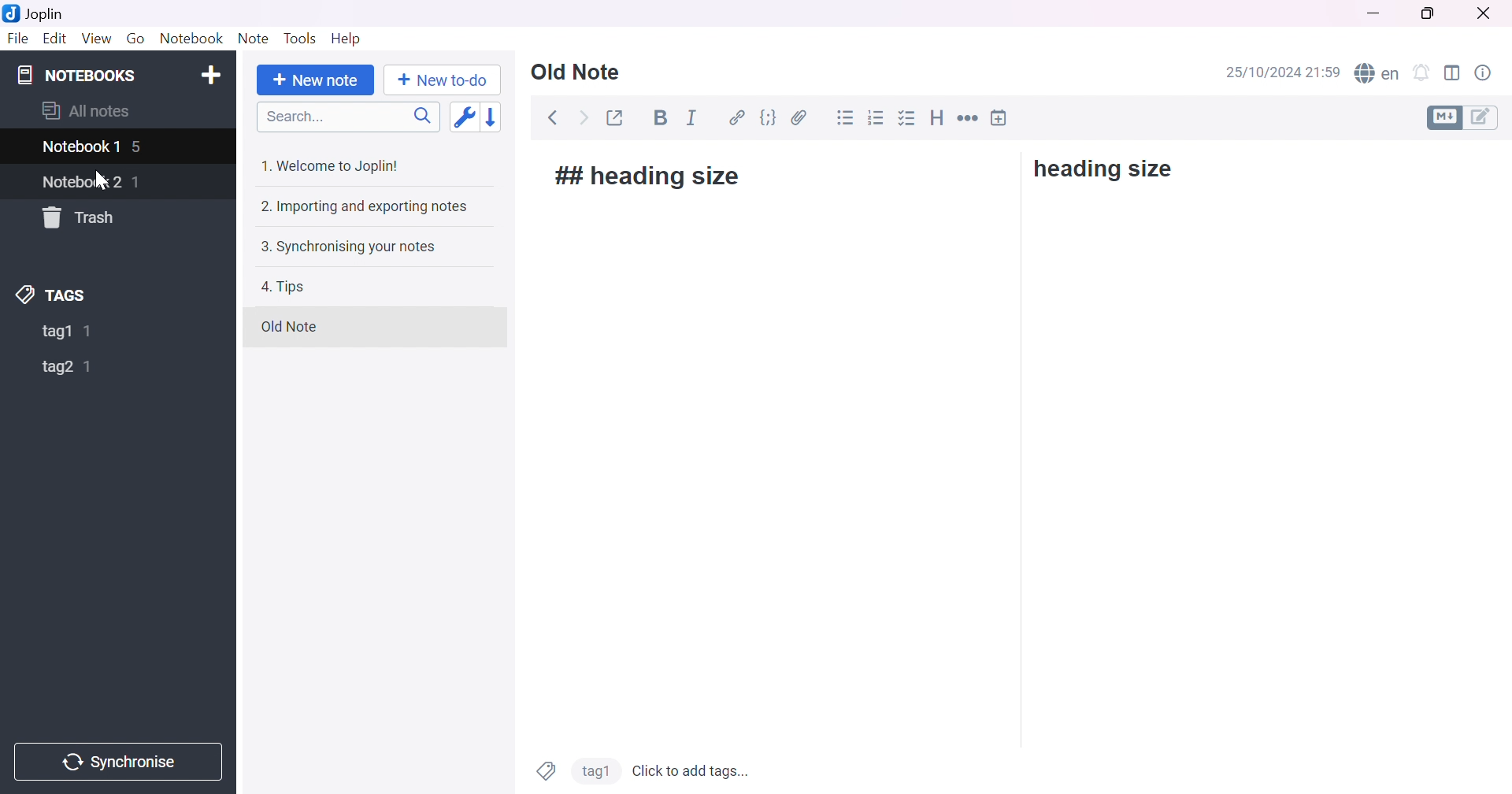 The image size is (1512, 794). I want to click on Set alarm, so click(1421, 72).